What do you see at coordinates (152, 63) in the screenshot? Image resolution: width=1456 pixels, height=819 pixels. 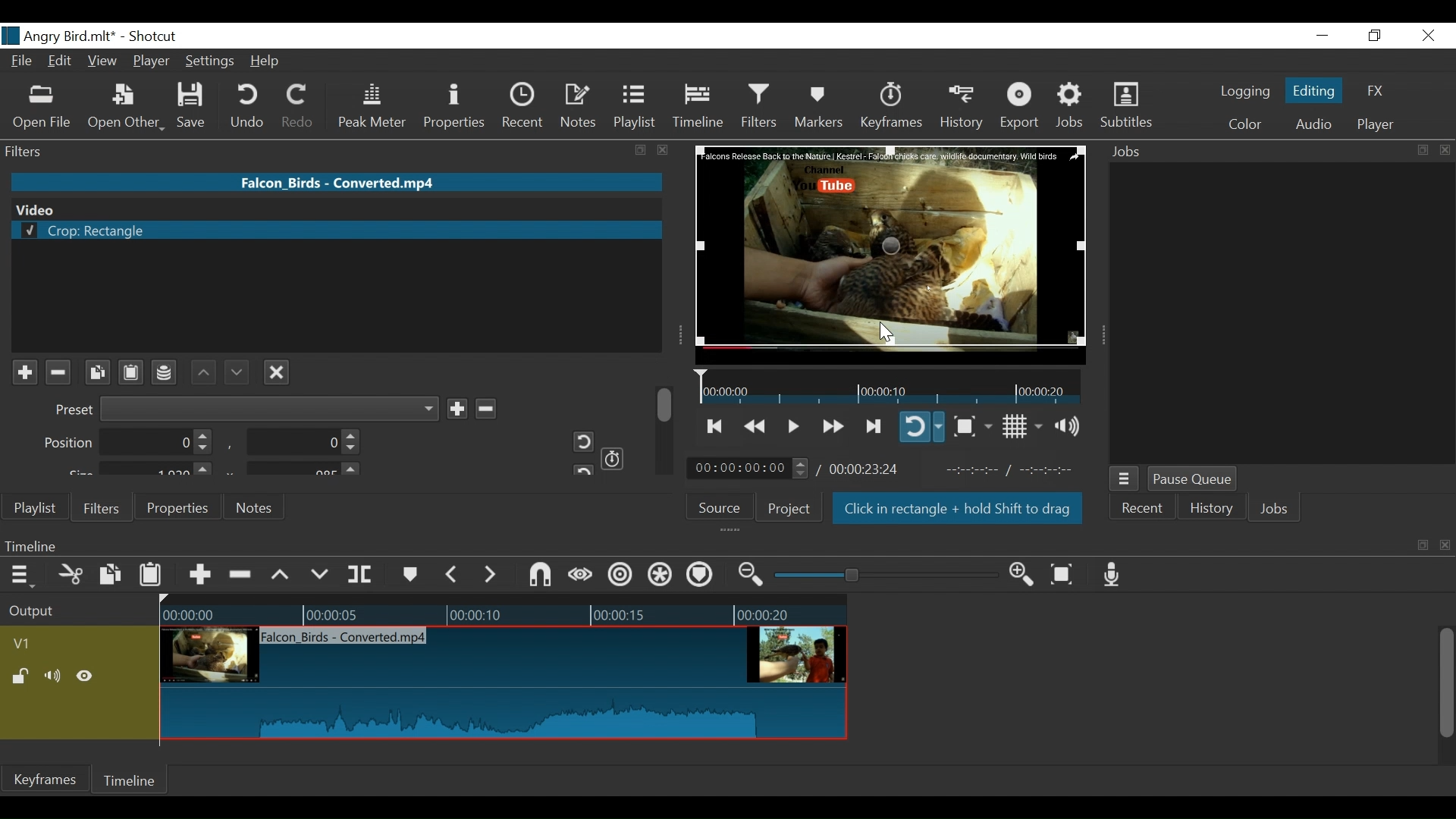 I see `Player` at bounding box center [152, 63].